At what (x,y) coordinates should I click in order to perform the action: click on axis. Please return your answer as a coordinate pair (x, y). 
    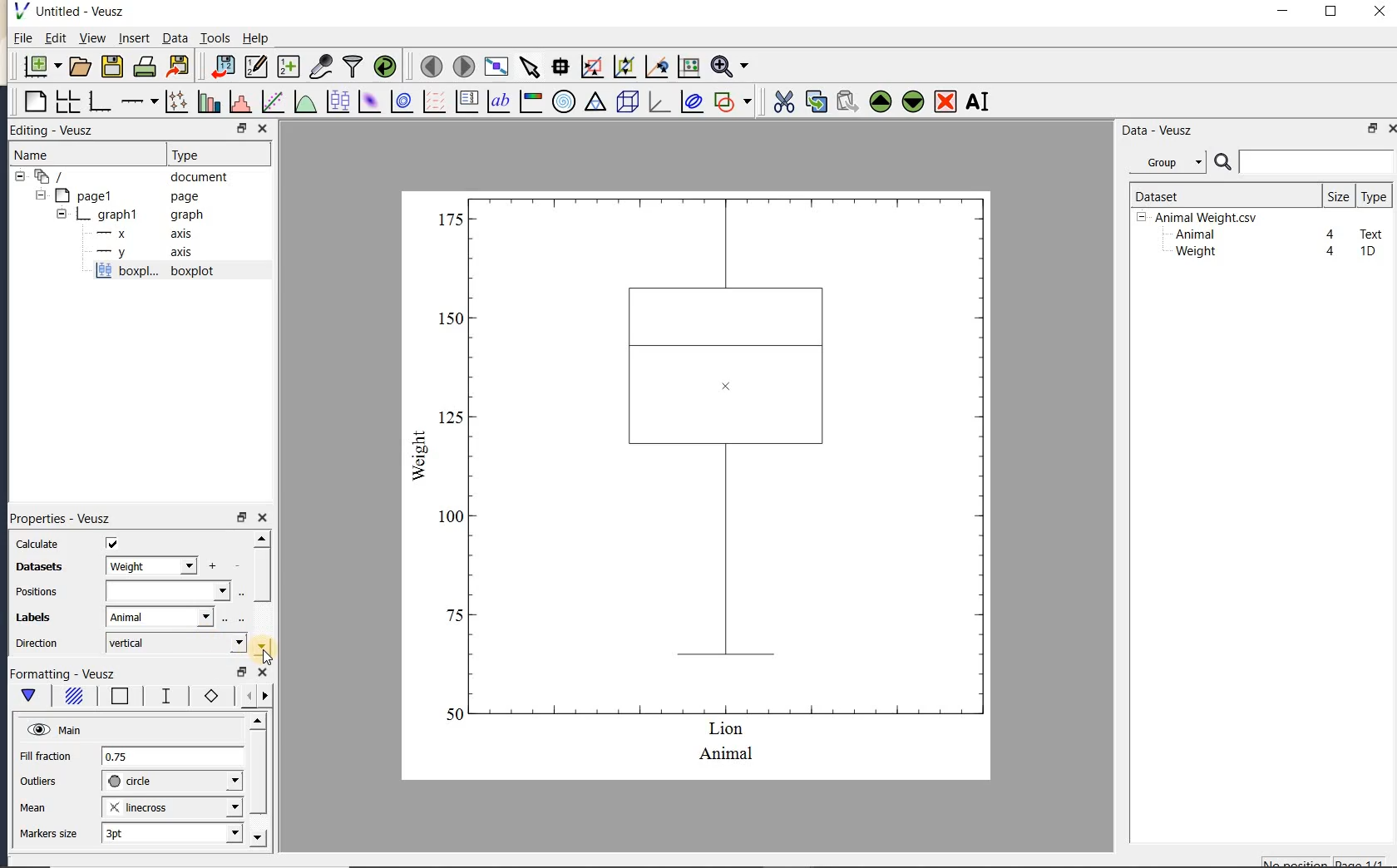
    Looking at the image, I should click on (140, 234).